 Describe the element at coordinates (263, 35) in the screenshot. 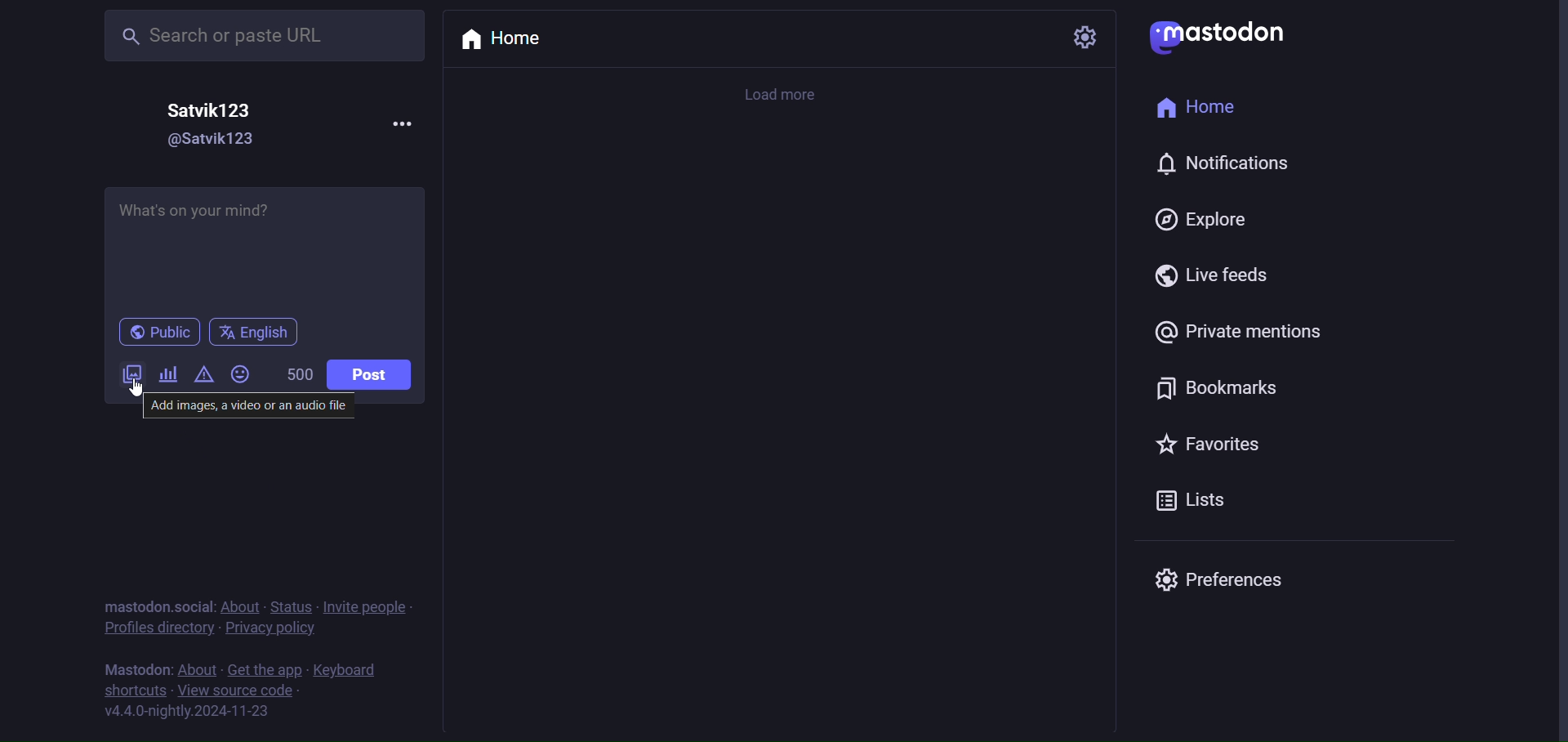

I see `Search or paste URL` at that location.